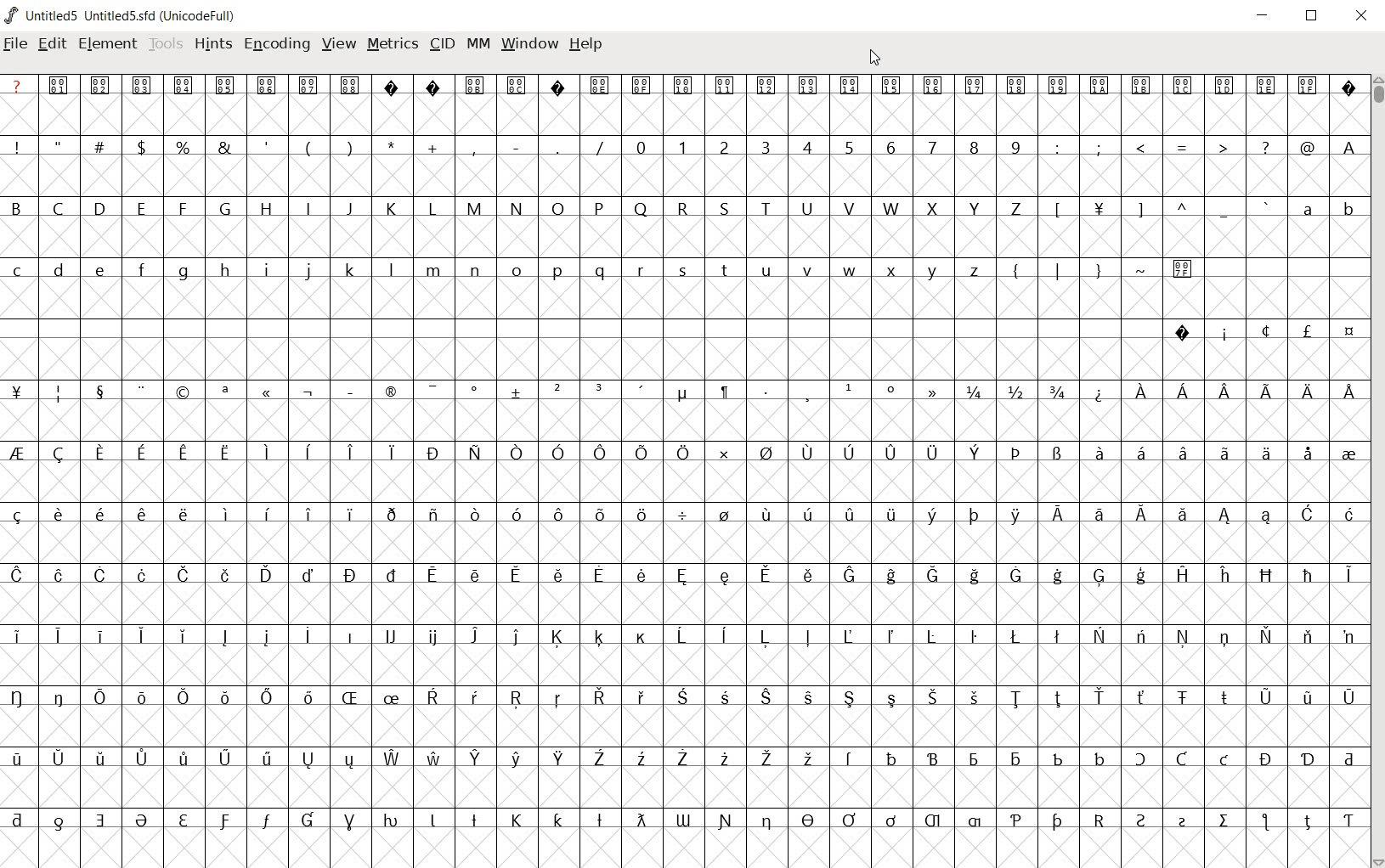 The image size is (1385, 868). I want to click on Symbol, so click(432, 699).